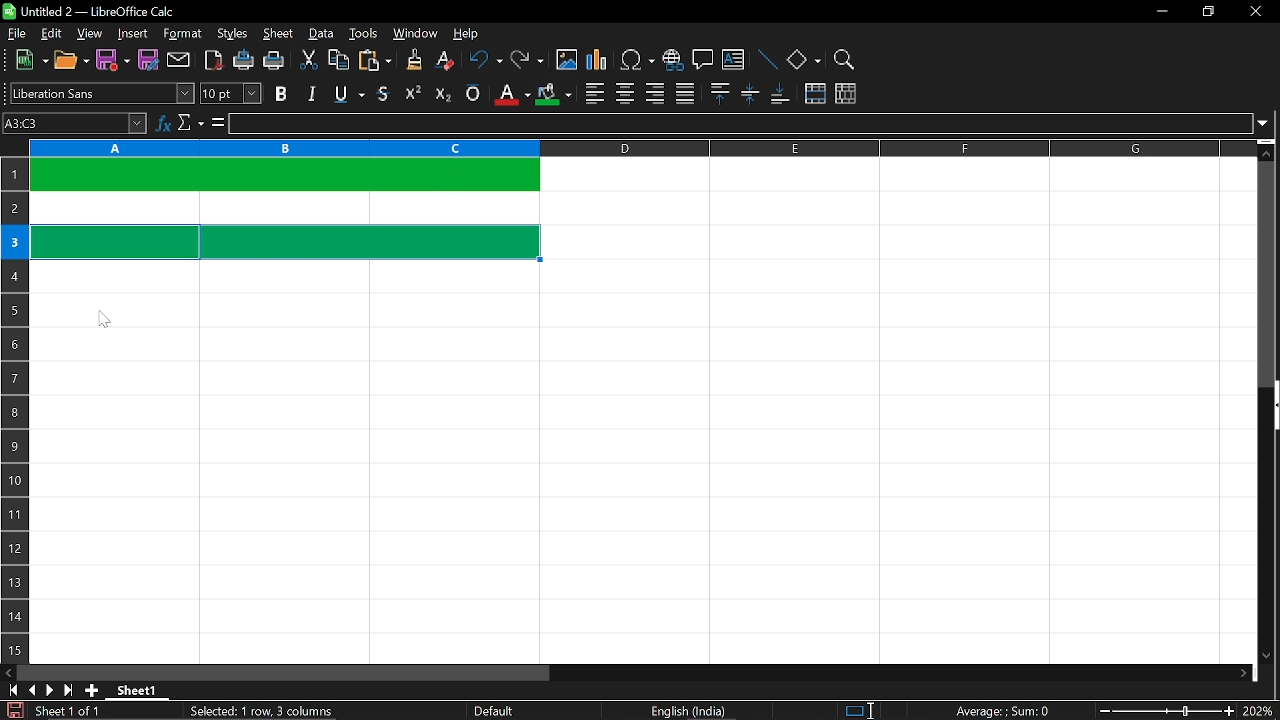  Describe the element at coordinates (442, 93) in the screenshot. I see `subscript` at that location.